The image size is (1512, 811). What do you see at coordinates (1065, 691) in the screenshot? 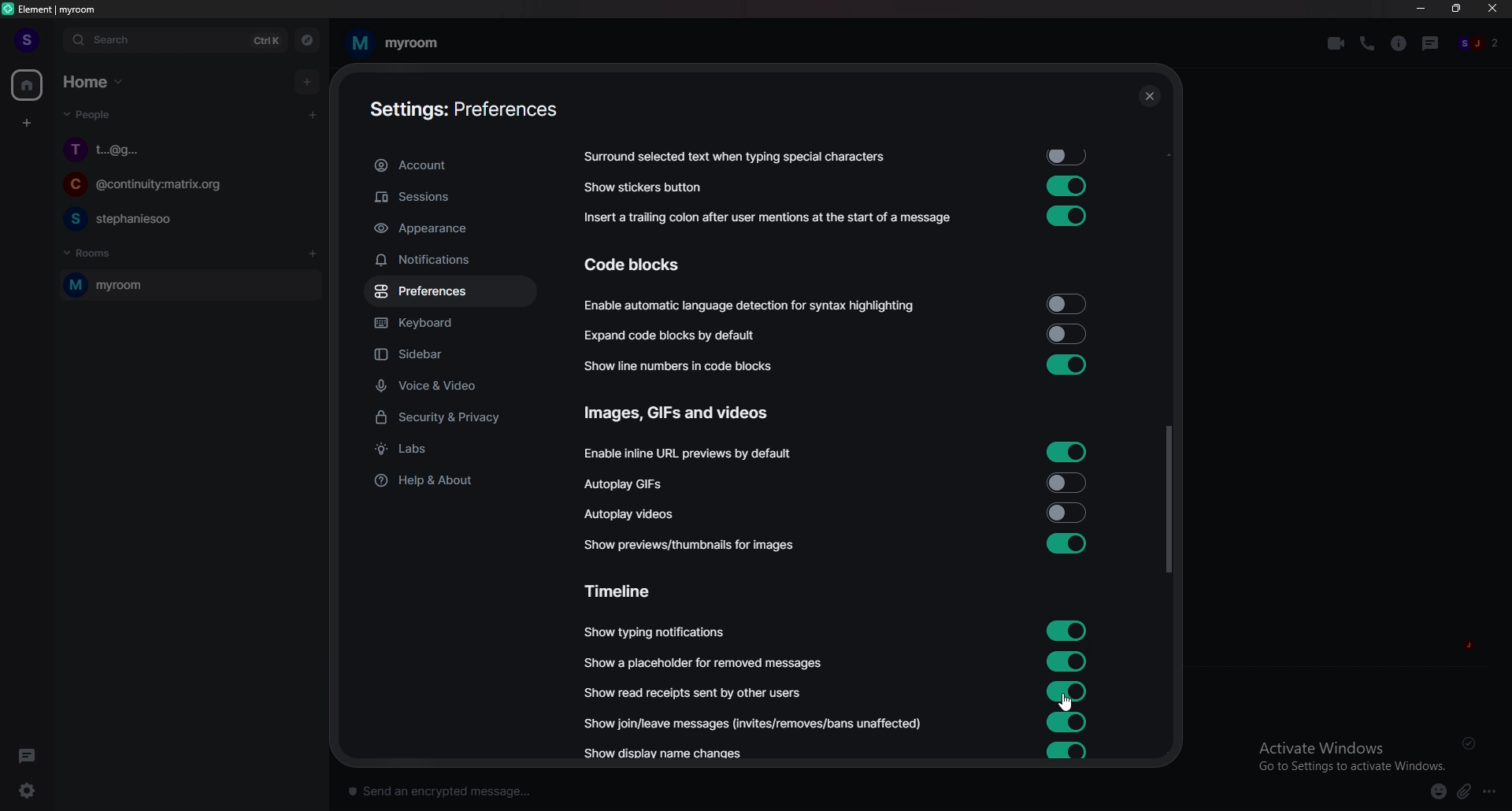
I see `toggle` at bounding box center [1065, 691].